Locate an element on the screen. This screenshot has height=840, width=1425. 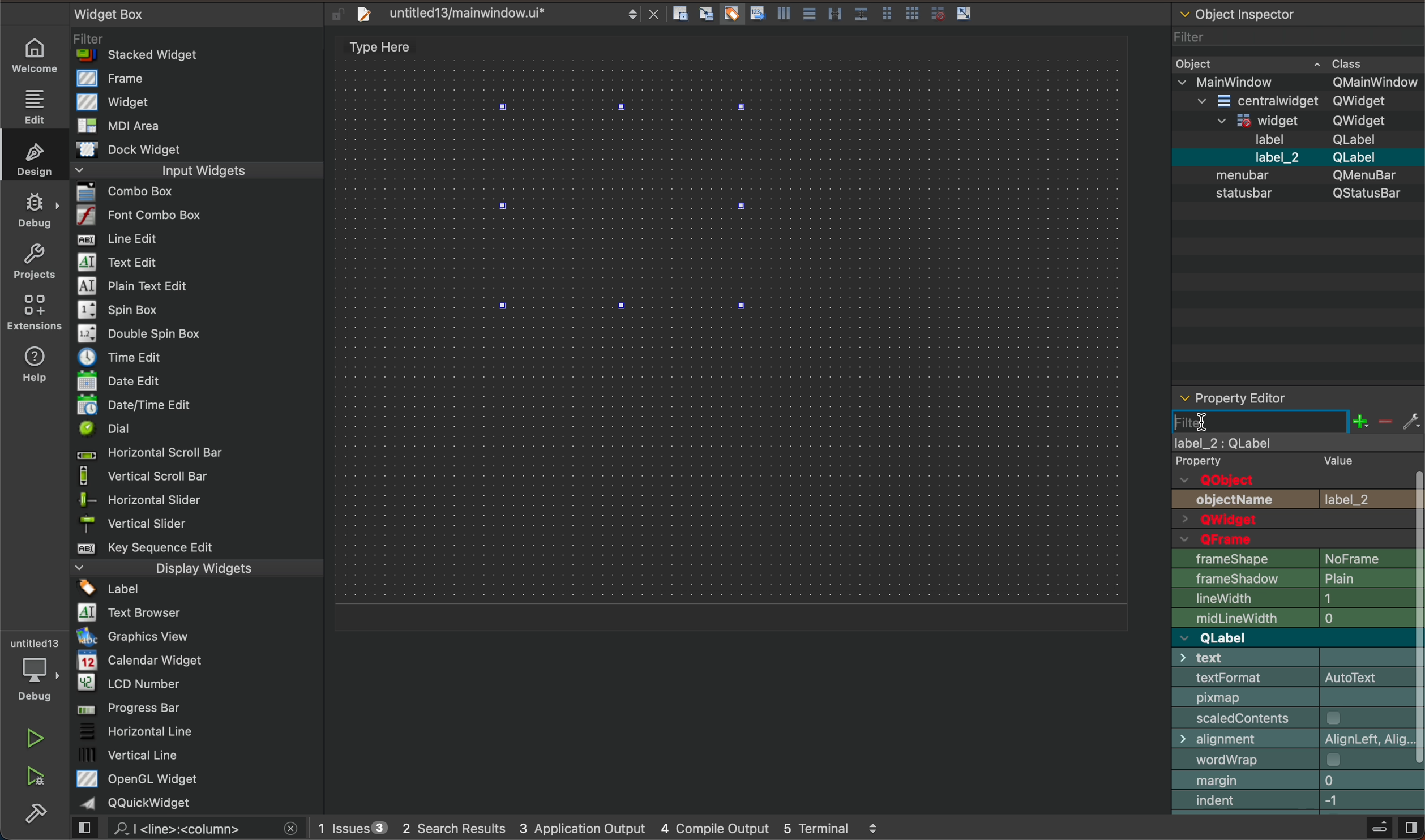
label widget is located at coordinates (626, 207).